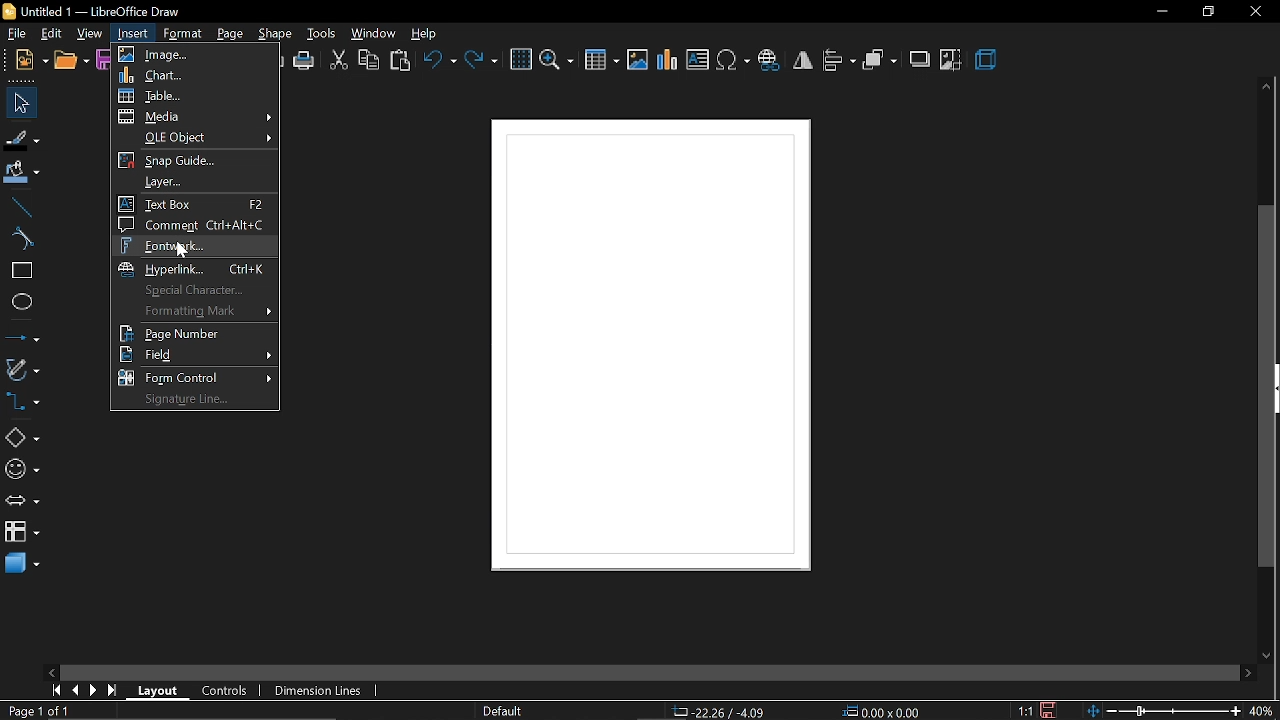  I want to click on save, so click(1050, 709).